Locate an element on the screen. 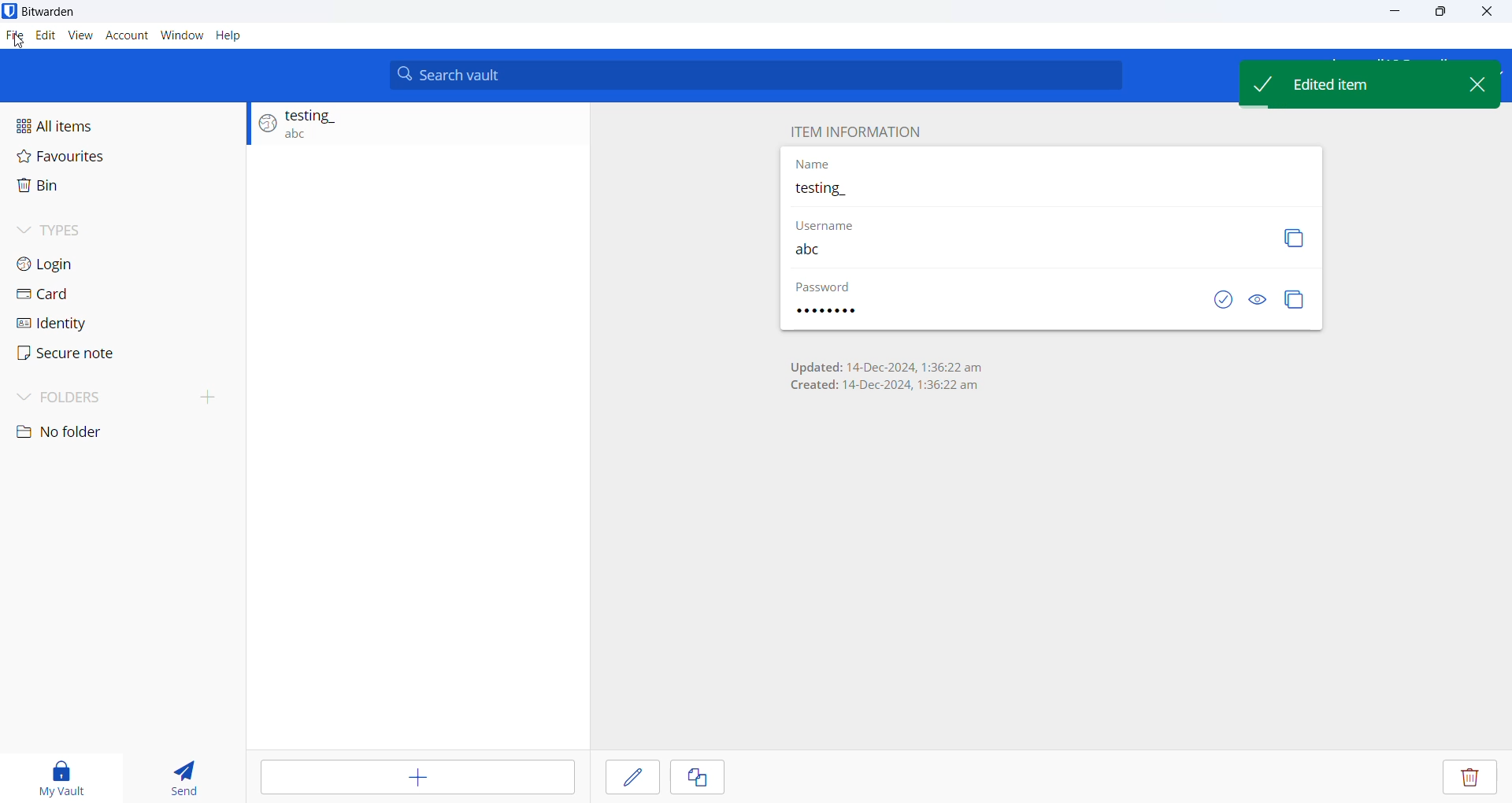 This screenshot has width=1512, height=803. Edited item popup text is located at coordinates (1340, 83).